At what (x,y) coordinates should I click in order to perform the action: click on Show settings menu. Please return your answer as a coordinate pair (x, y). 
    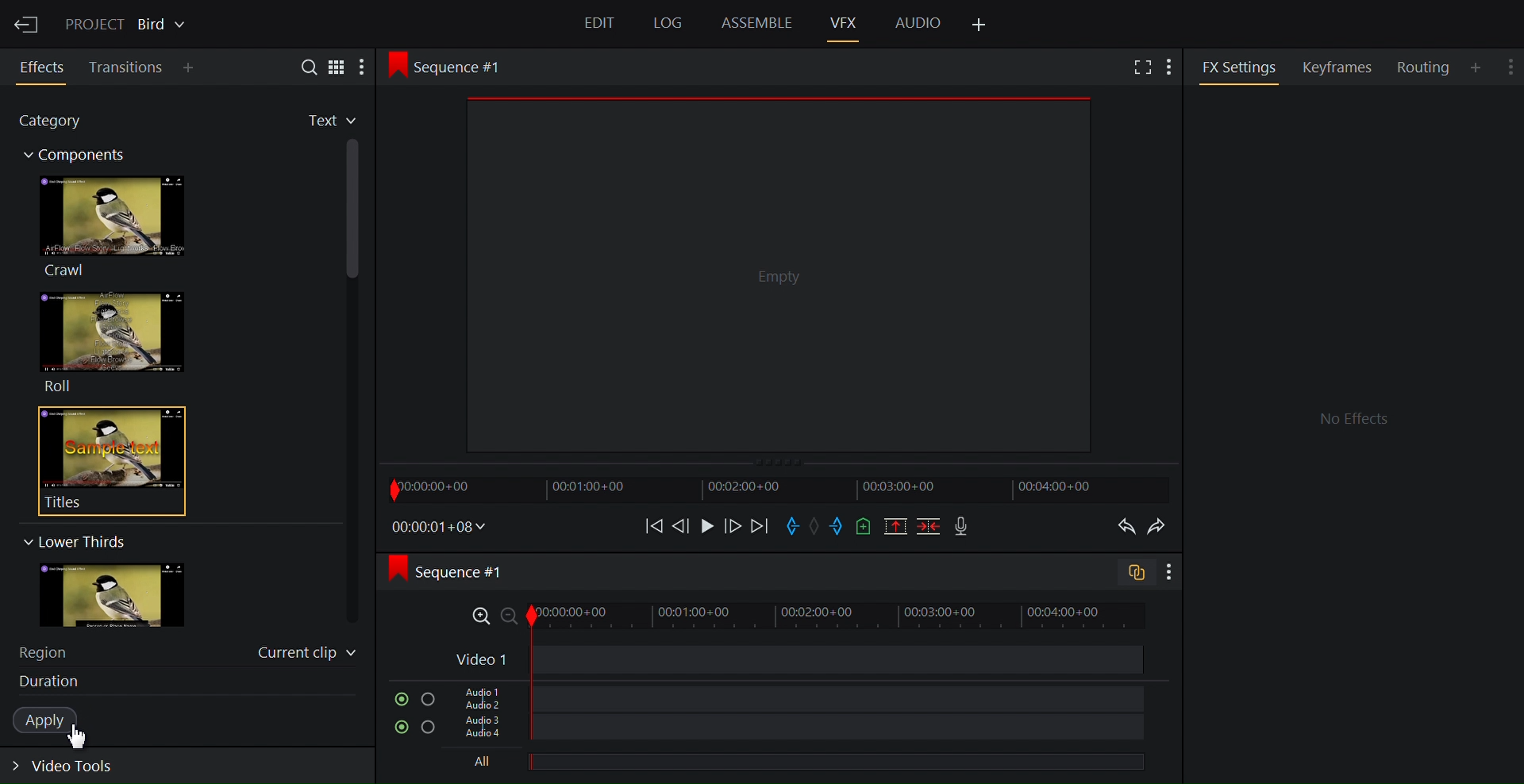
    Looking at the image, I should click on (1168, 573).